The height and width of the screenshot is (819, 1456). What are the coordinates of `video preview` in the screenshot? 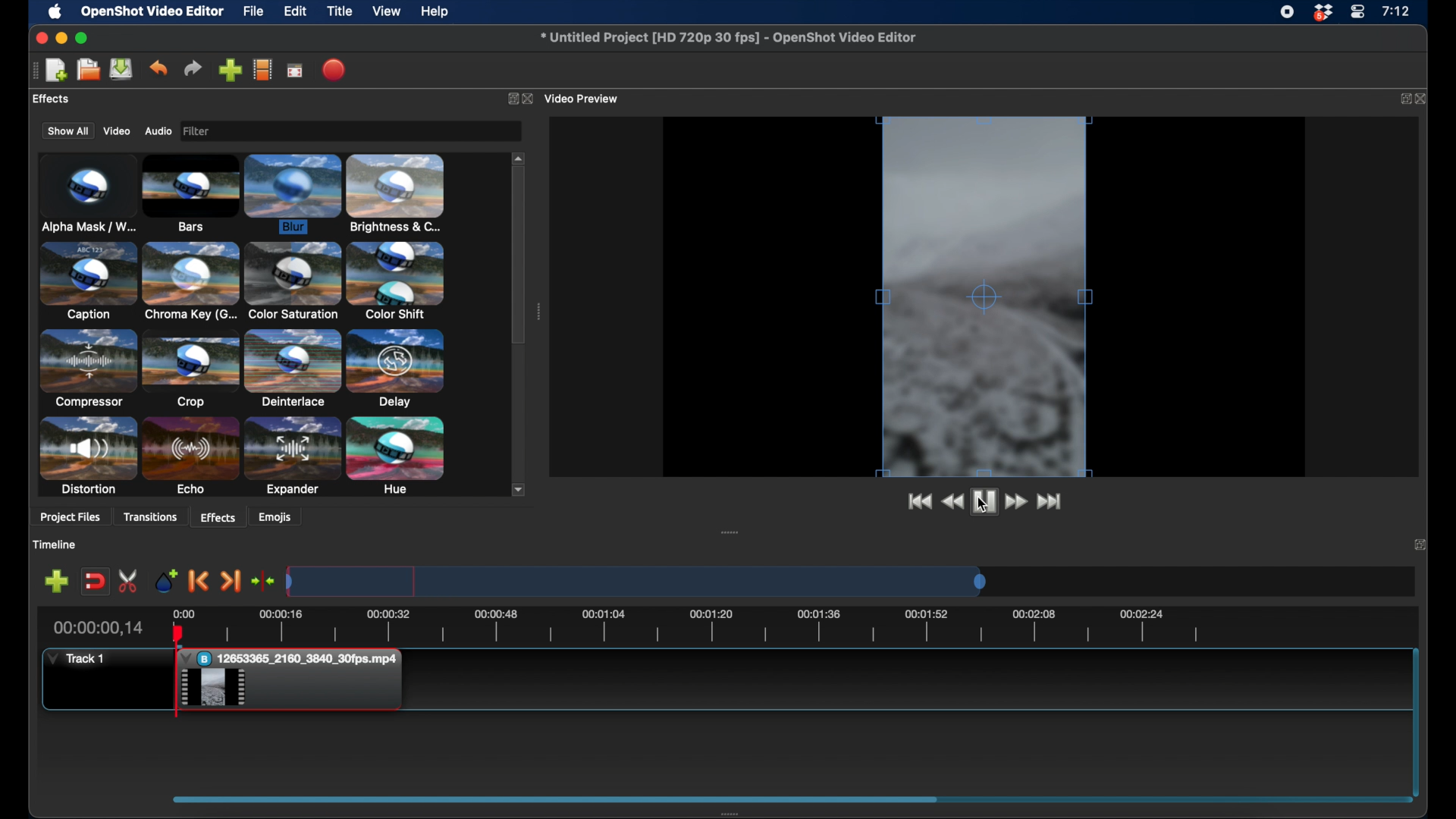 It's located at (586, 98).